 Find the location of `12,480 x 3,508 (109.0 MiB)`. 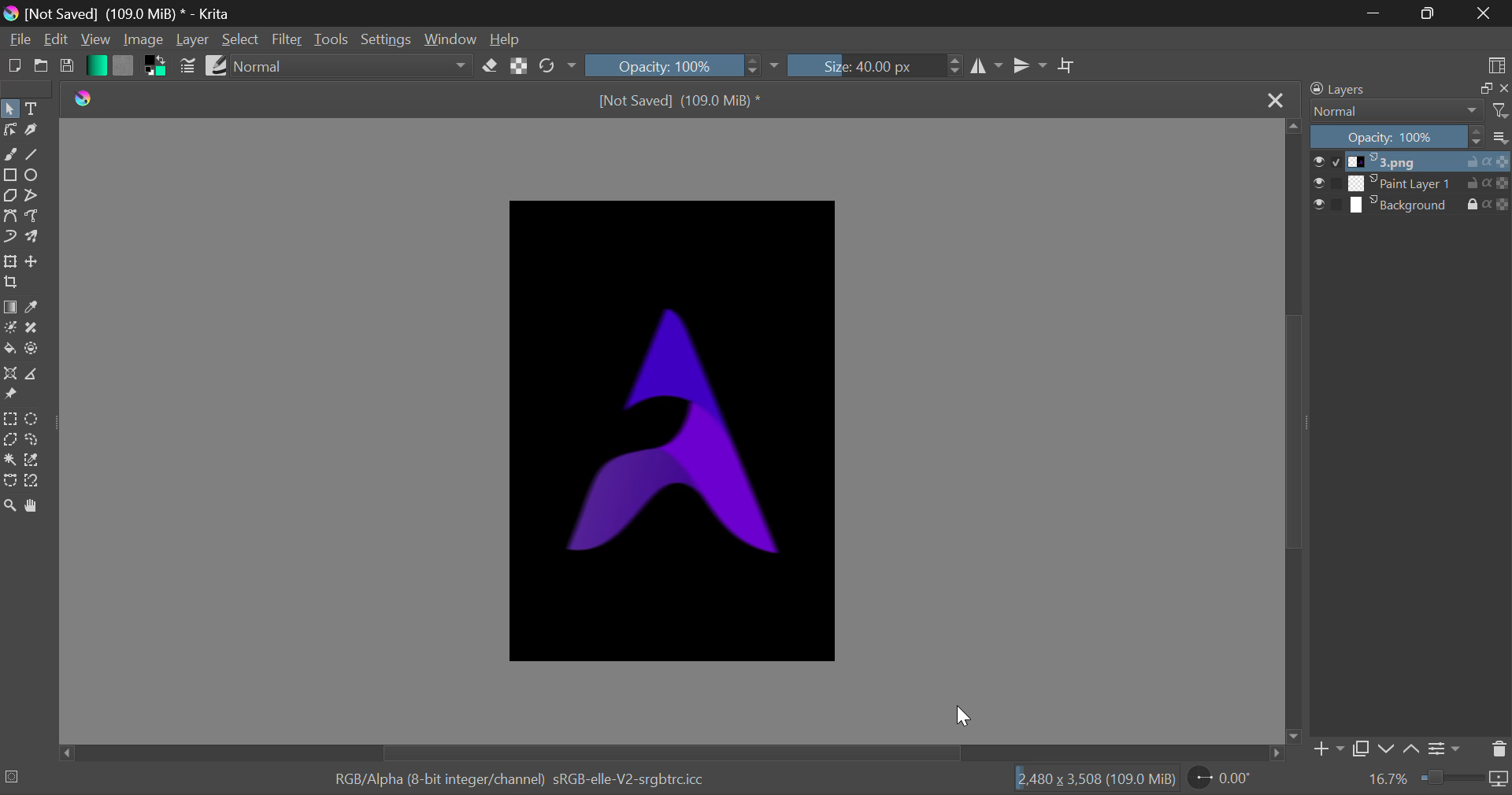

12,480 x 3,508 (109.0 MiB) is located at coordinates (1095, 778).